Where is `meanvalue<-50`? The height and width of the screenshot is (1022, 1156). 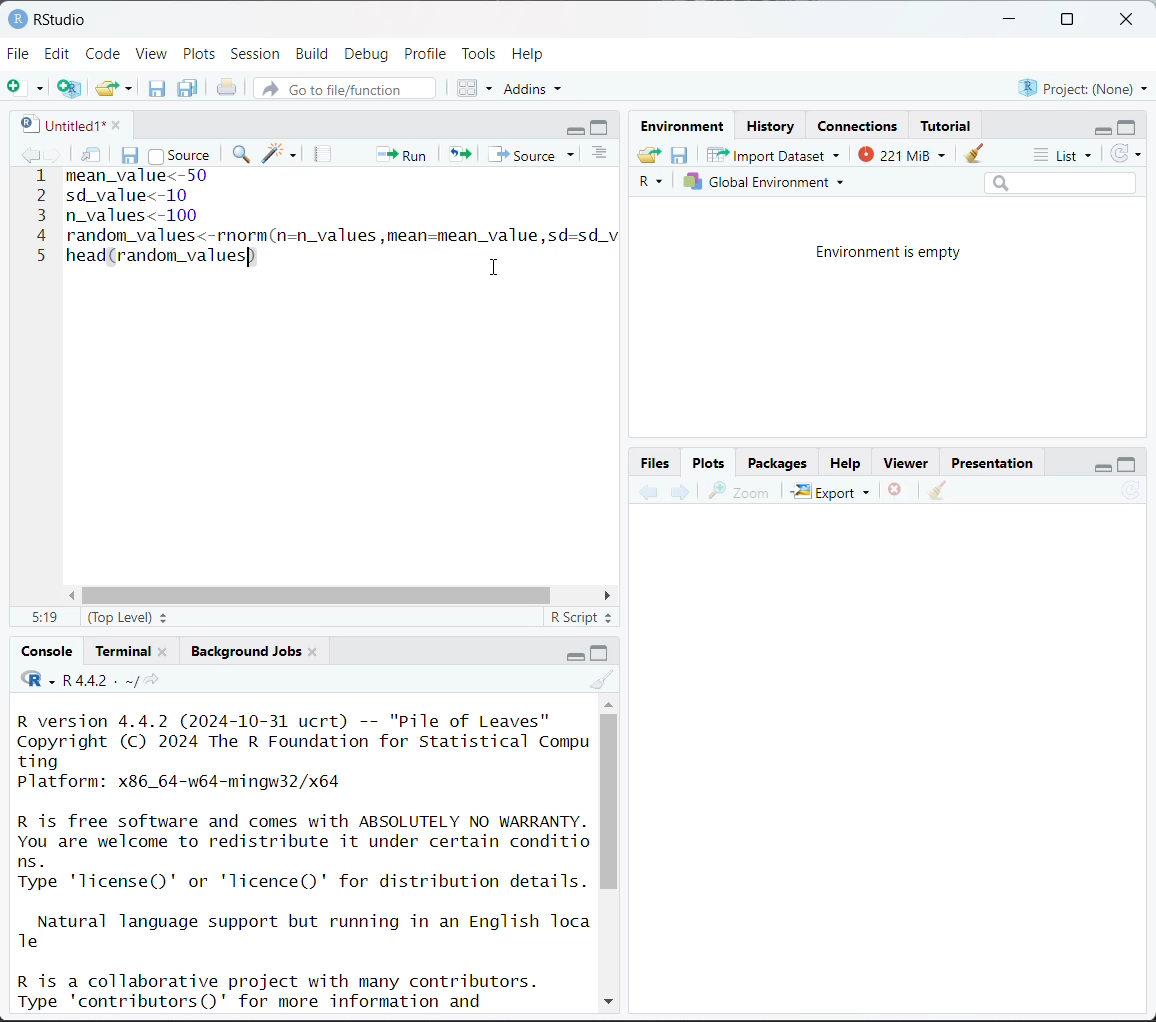 meanvalue<-50 is located at coordinates (141, 177).